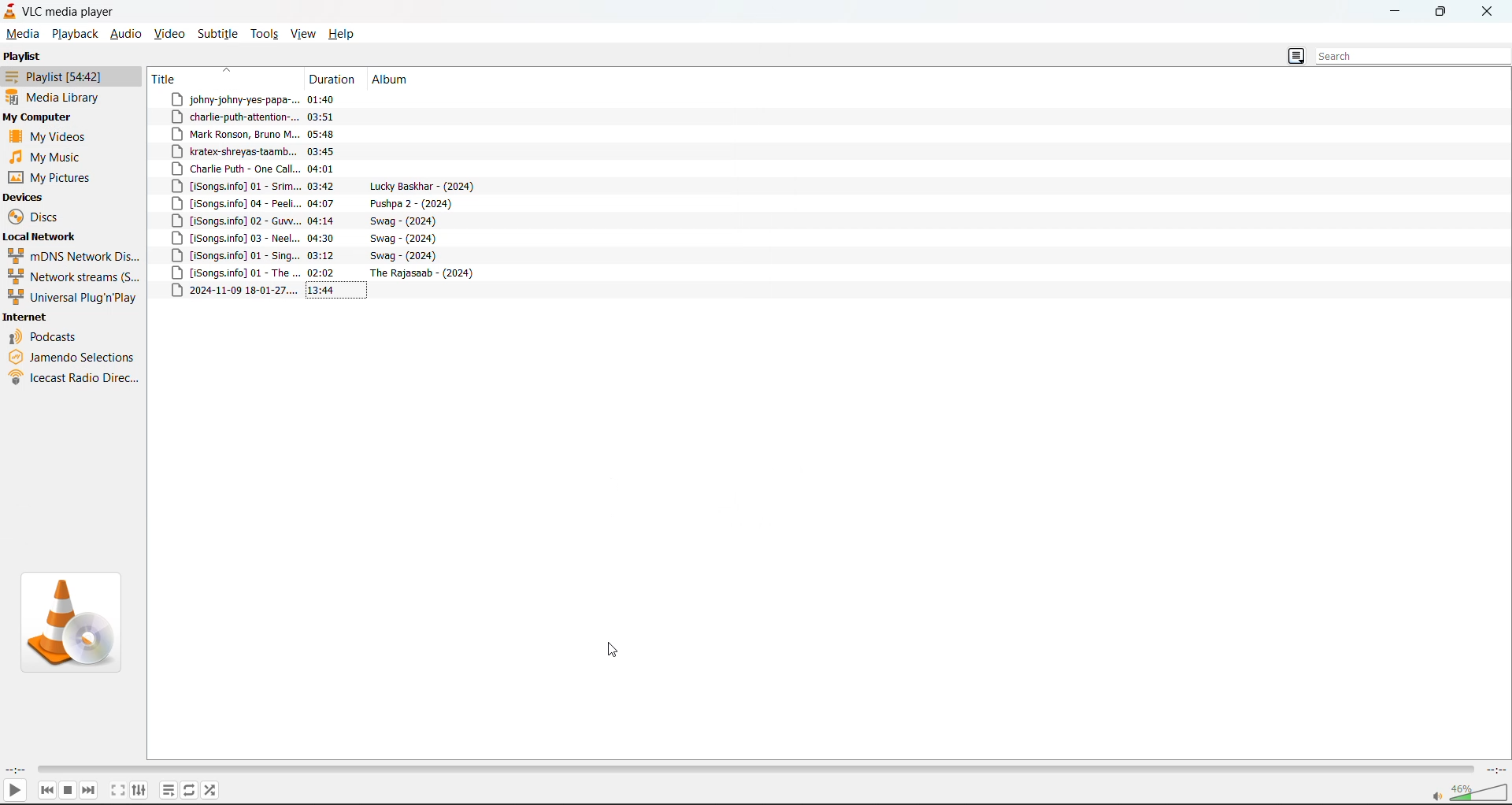 This screenshot has height=805, width=1512. What do you see at coordinates (74, 257) in the screenshot?
I see `mdns network` at bounding box center [74, 257].